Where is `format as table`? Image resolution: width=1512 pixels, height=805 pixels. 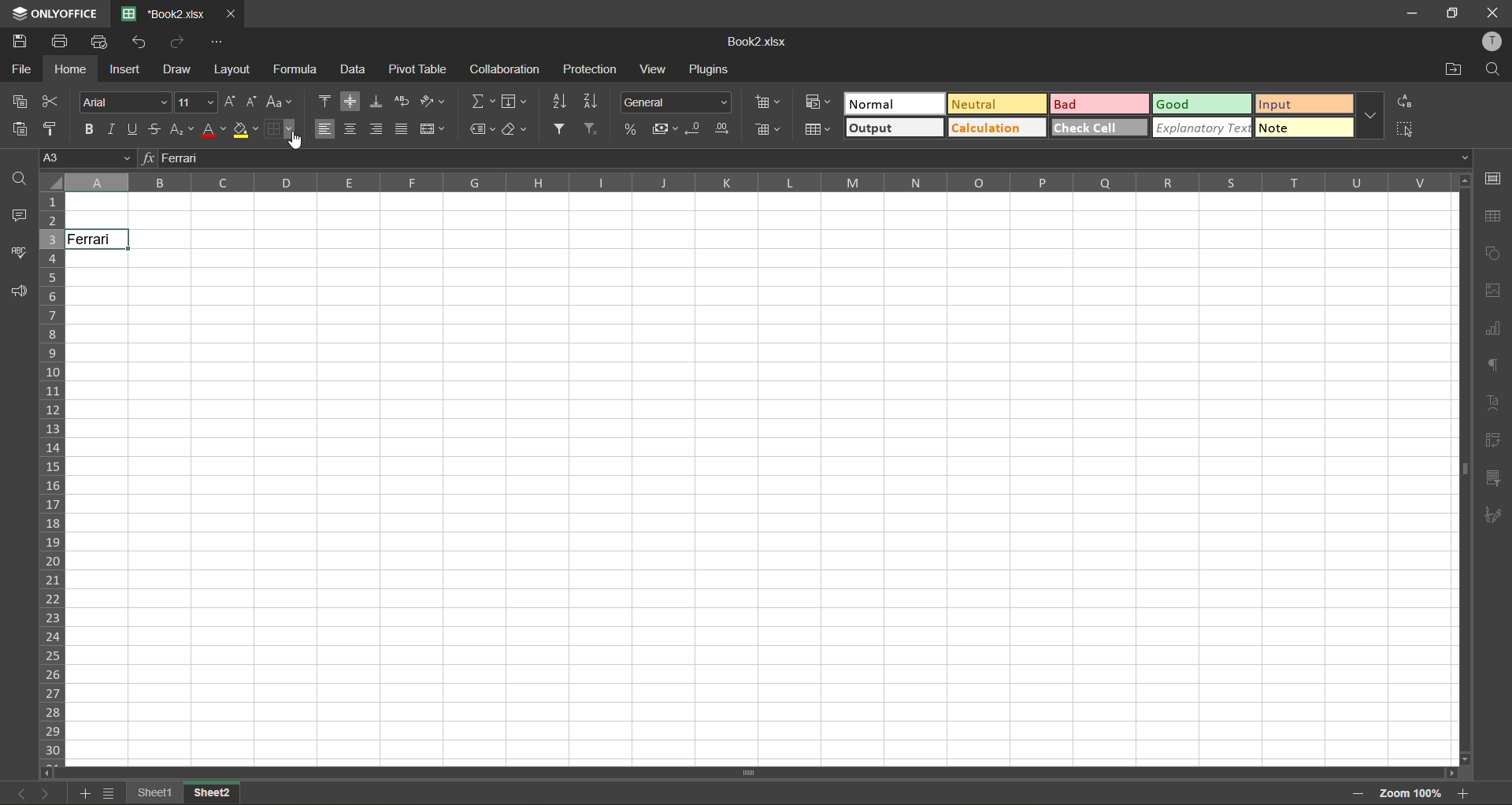
format as table is located at coordinates (817, 131).